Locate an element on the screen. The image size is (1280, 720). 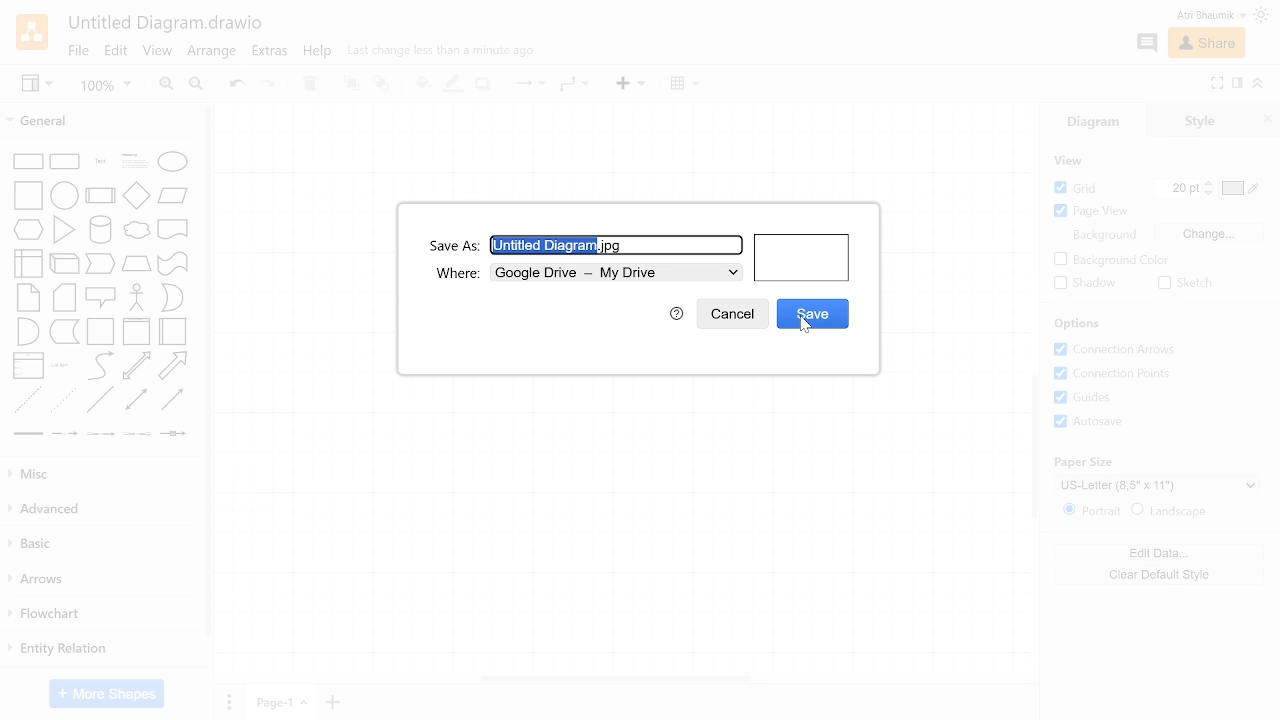
pages is located at coordinates (226, 701).